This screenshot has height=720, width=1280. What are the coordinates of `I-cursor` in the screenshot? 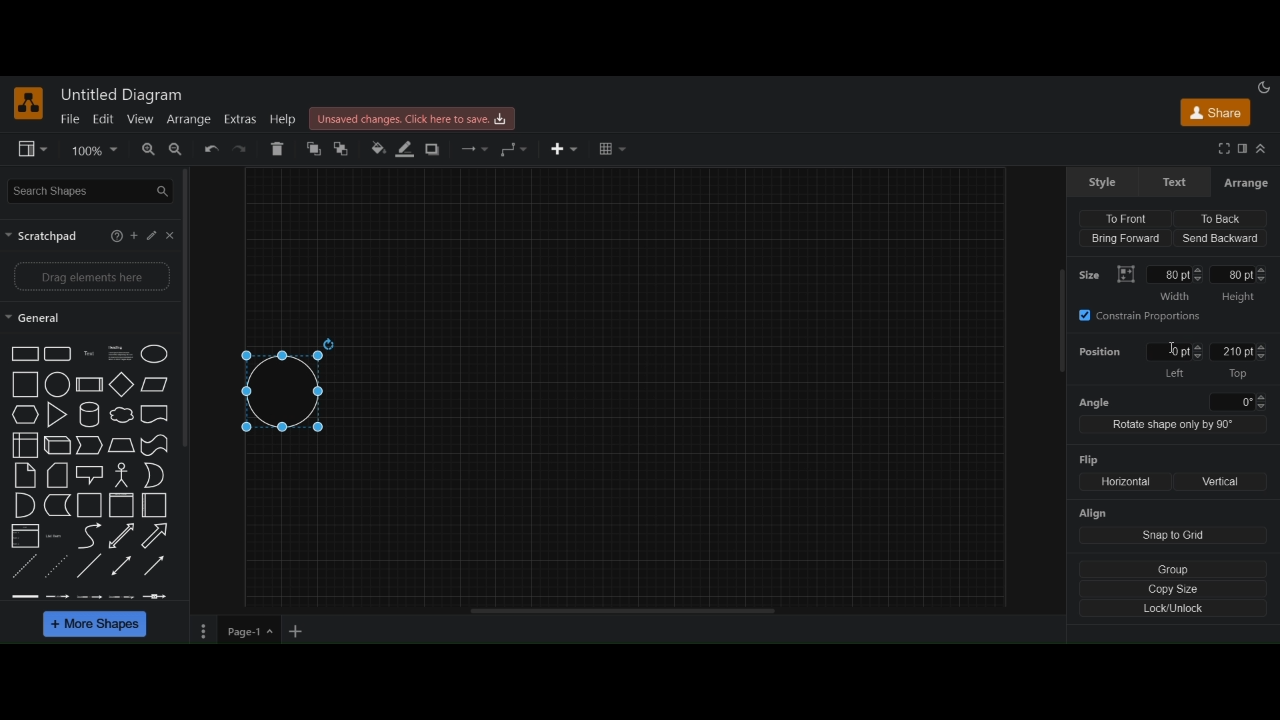 It's located at (1175, 352).